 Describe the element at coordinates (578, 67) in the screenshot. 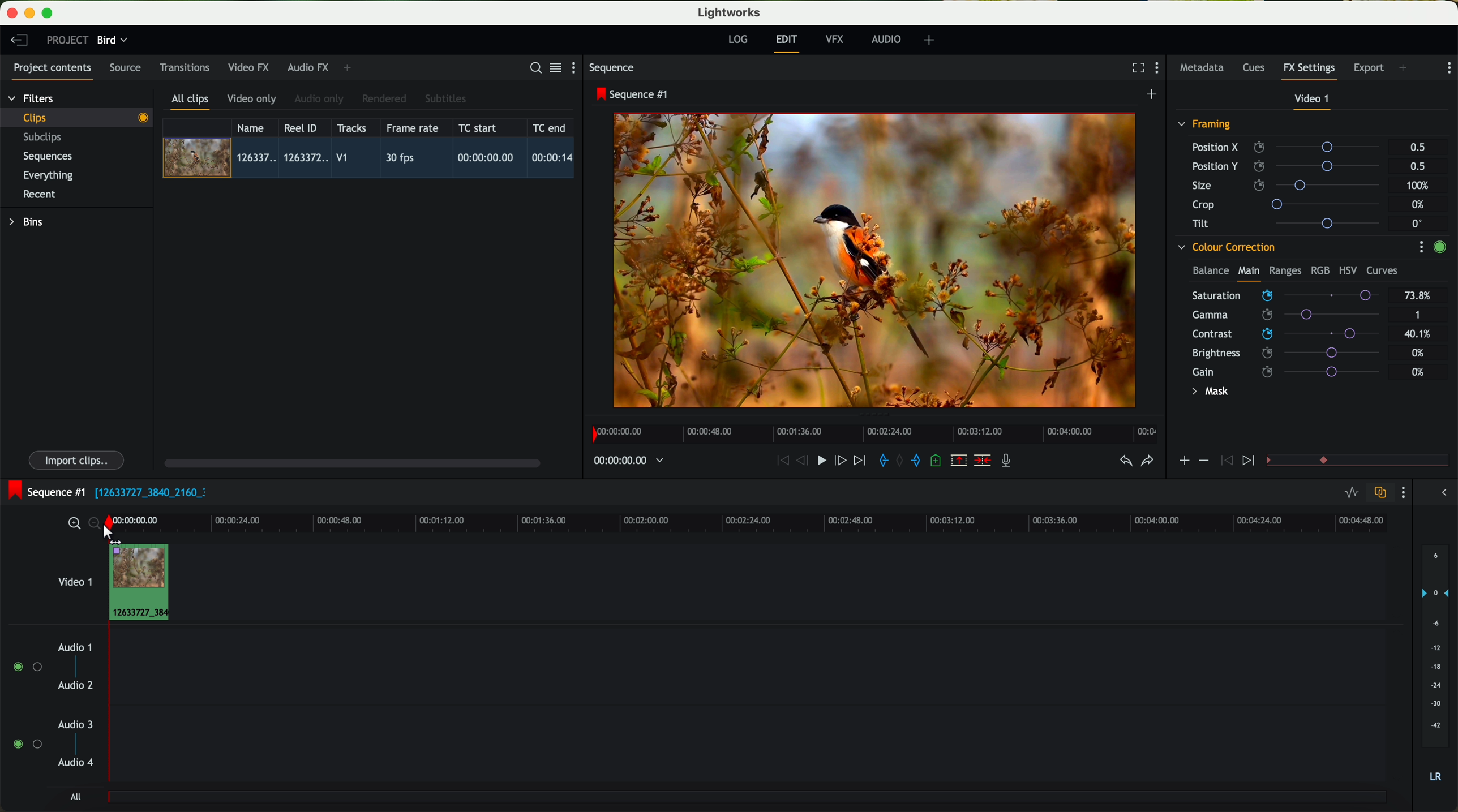

I see `show settings menu` at that location.